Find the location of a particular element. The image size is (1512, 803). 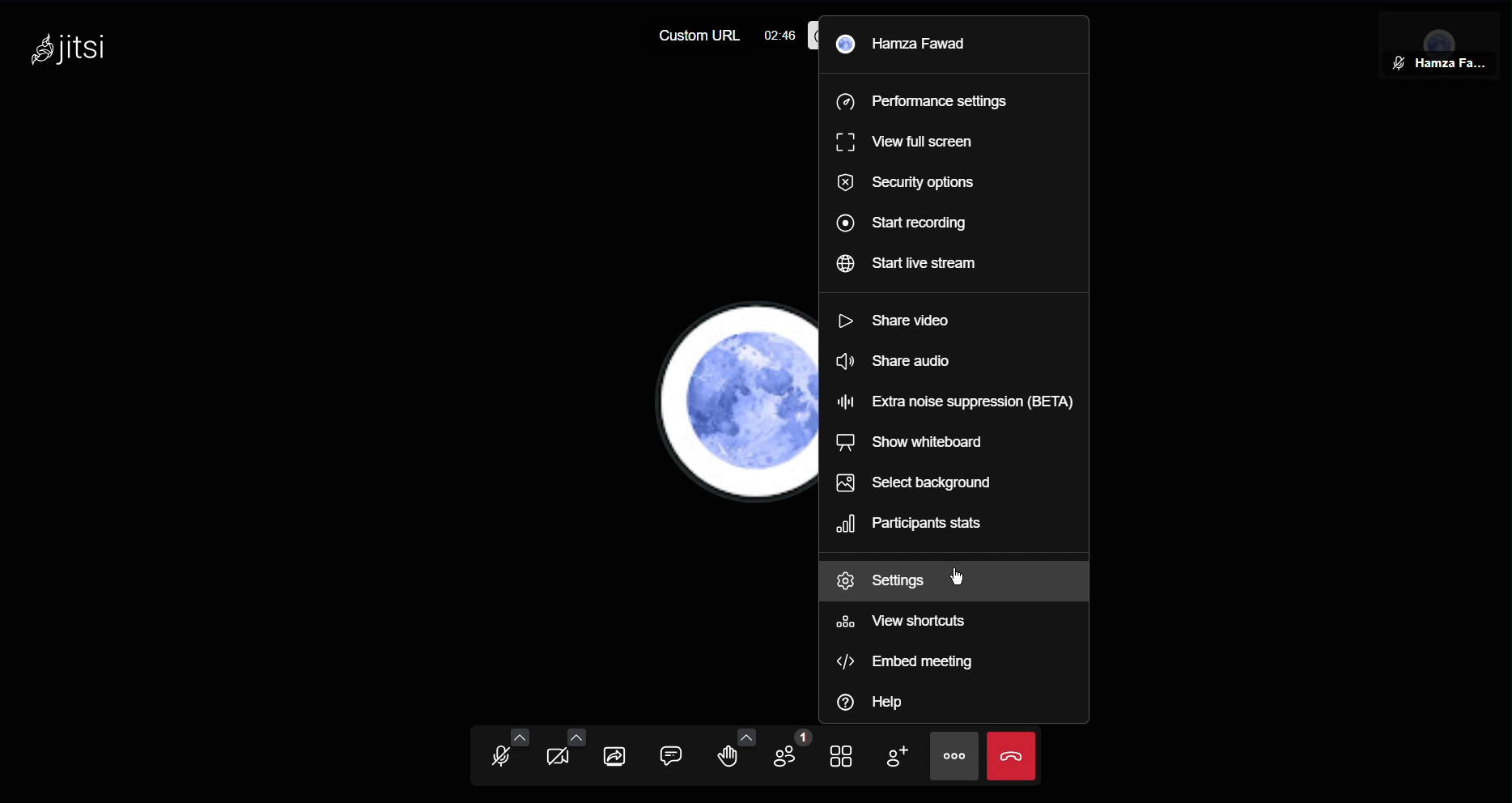

Show whiteboard is located at coordinates (920, 442).